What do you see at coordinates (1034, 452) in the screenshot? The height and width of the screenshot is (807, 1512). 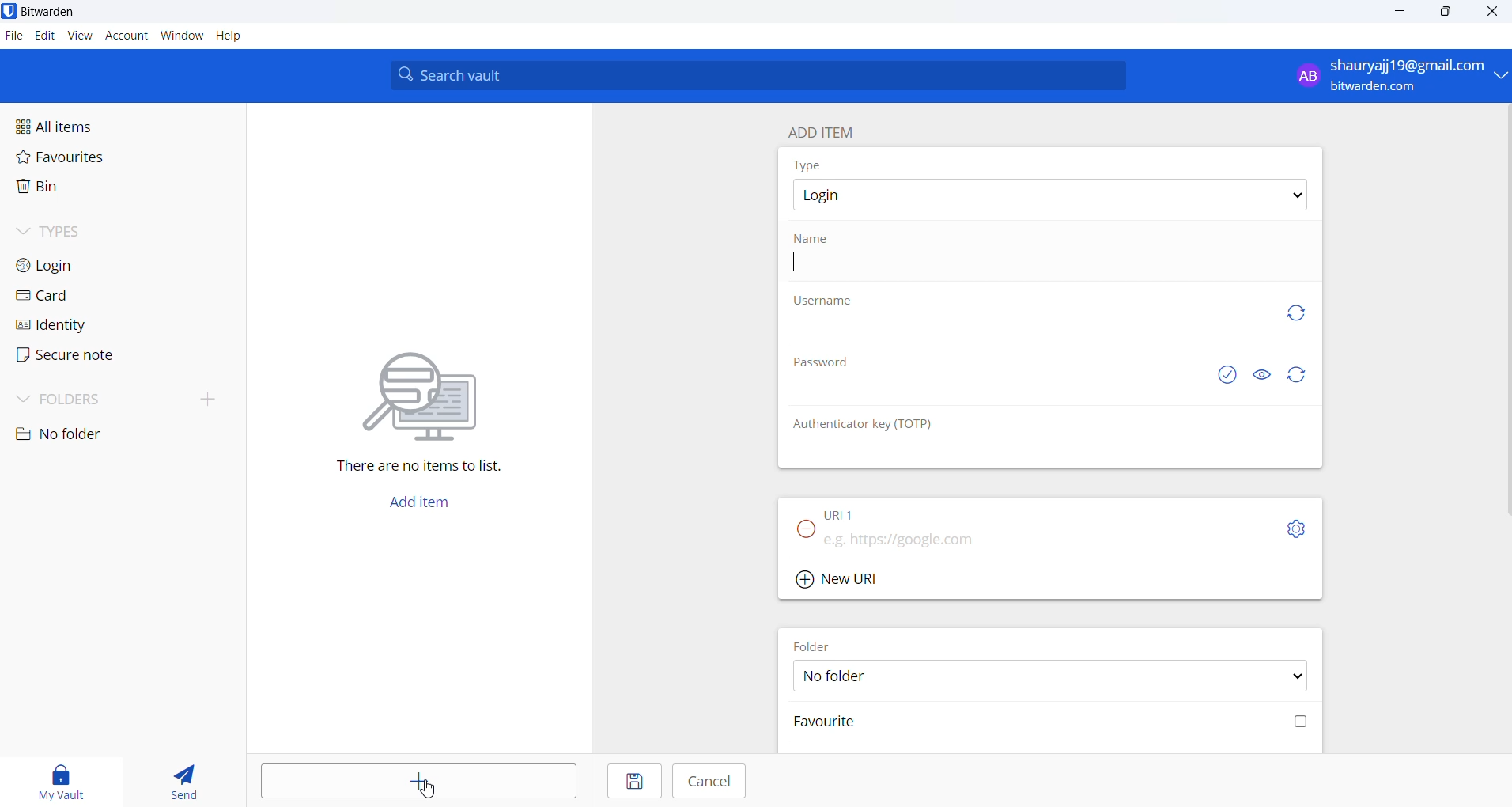 I see `OTP text box` at bounding box center [1034, 452].